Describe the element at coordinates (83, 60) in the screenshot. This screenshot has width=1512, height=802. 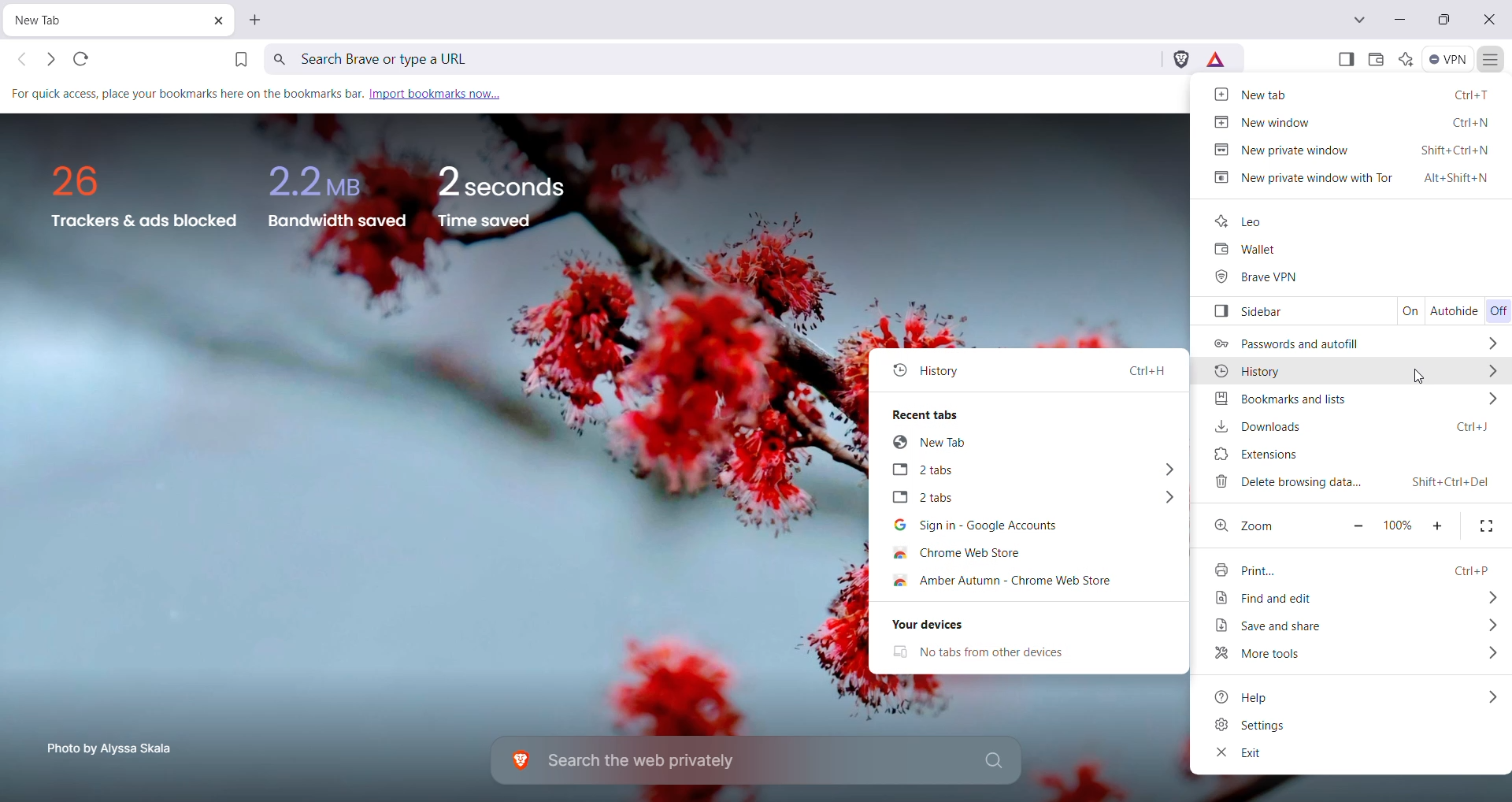
I see `Reload this page` at that location.